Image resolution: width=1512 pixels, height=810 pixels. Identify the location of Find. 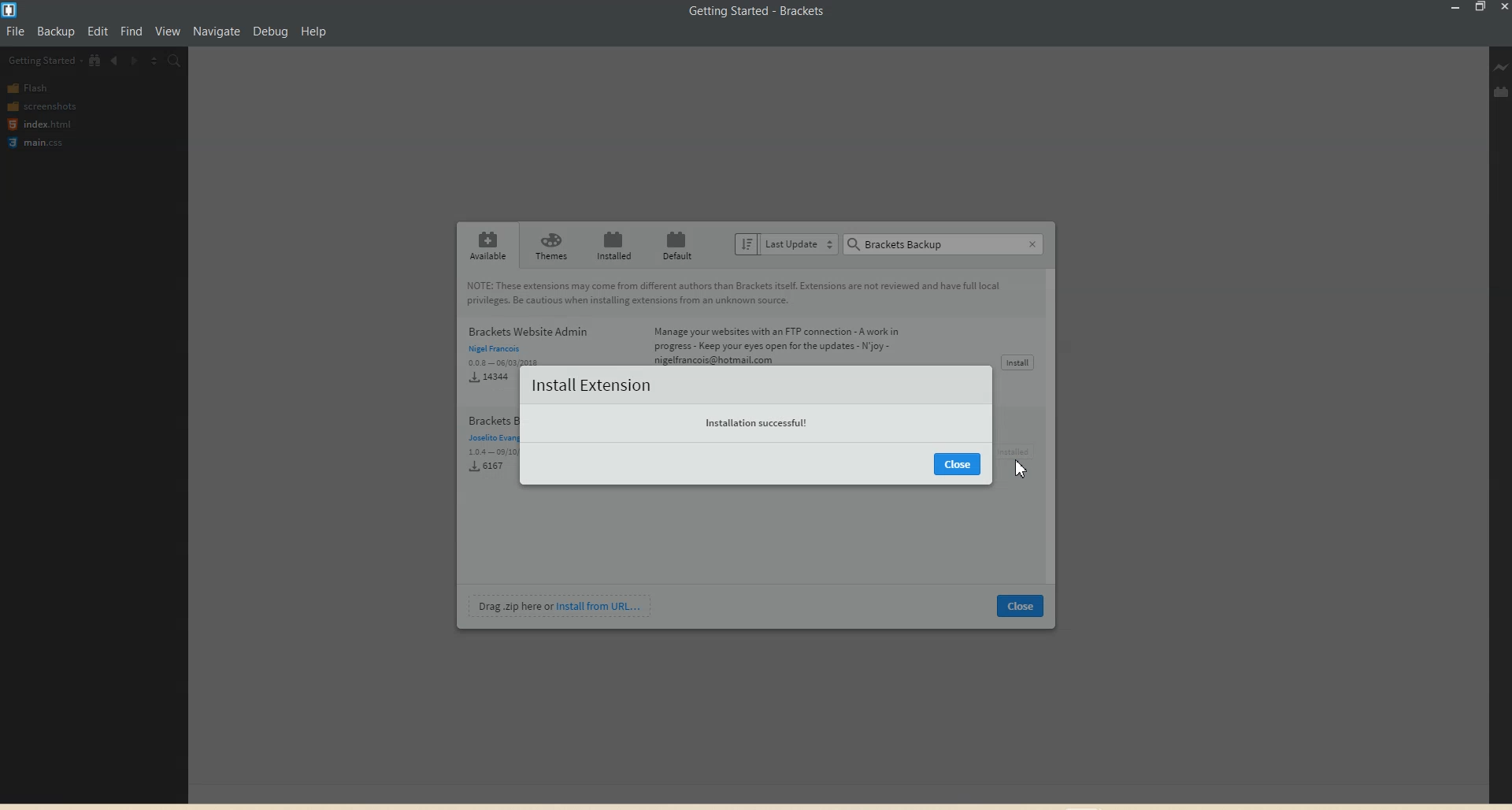
(135, 28).